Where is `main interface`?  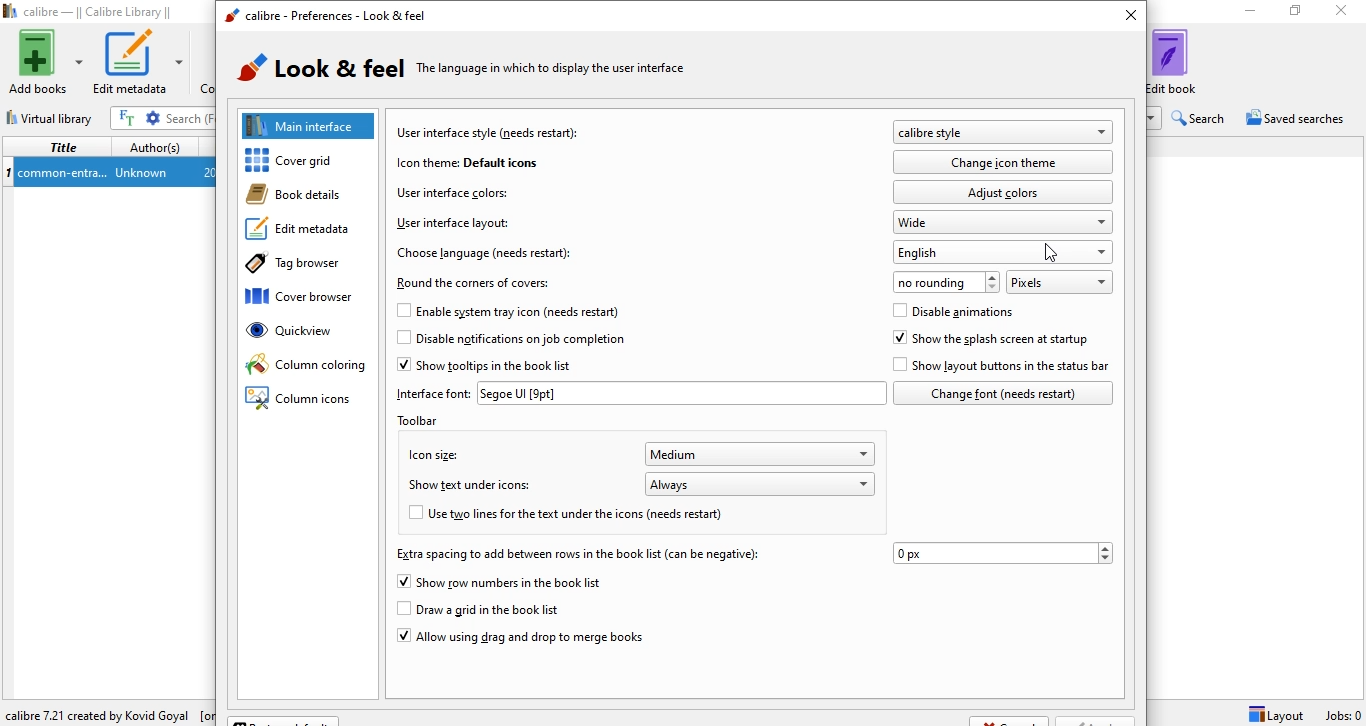
main interface is located at coordinates (310, 125).